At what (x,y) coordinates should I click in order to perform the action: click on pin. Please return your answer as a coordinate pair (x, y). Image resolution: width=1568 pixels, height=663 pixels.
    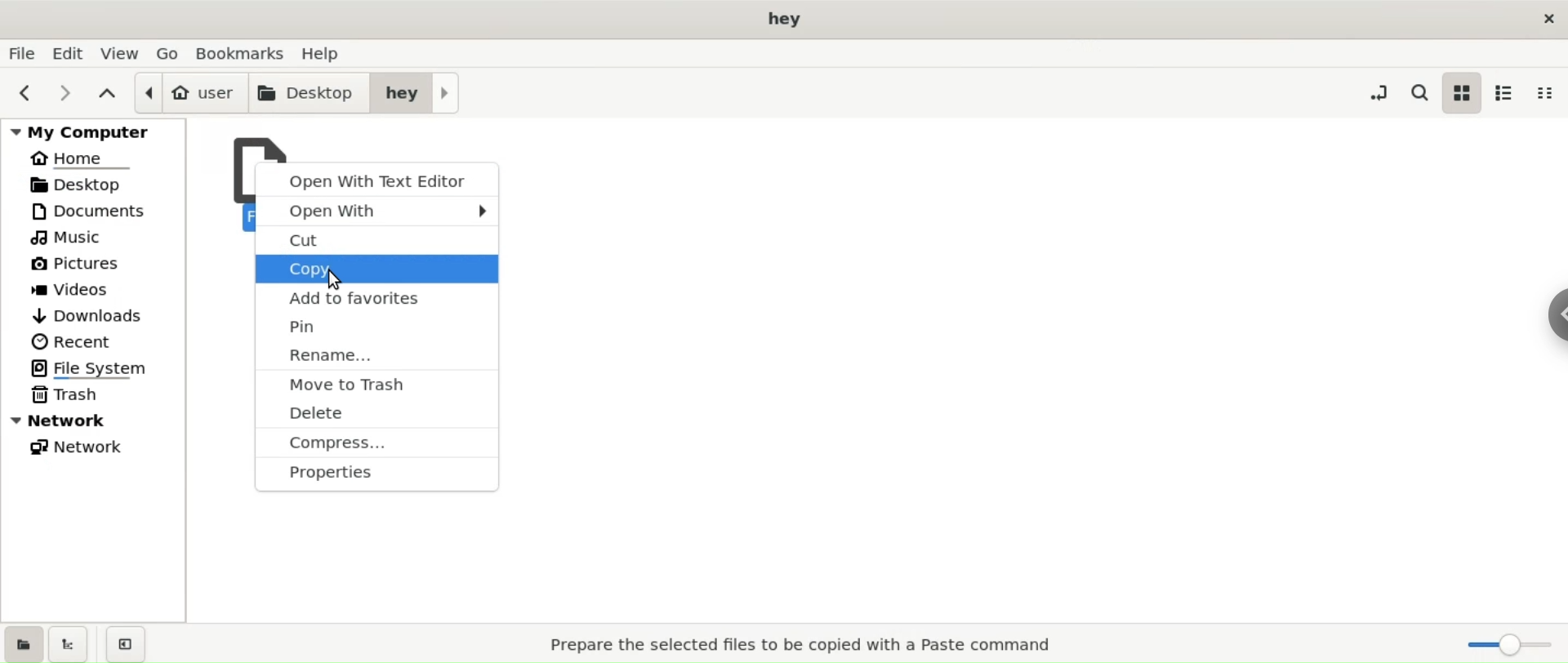
    Looking at the image, I should click on (377, 327).